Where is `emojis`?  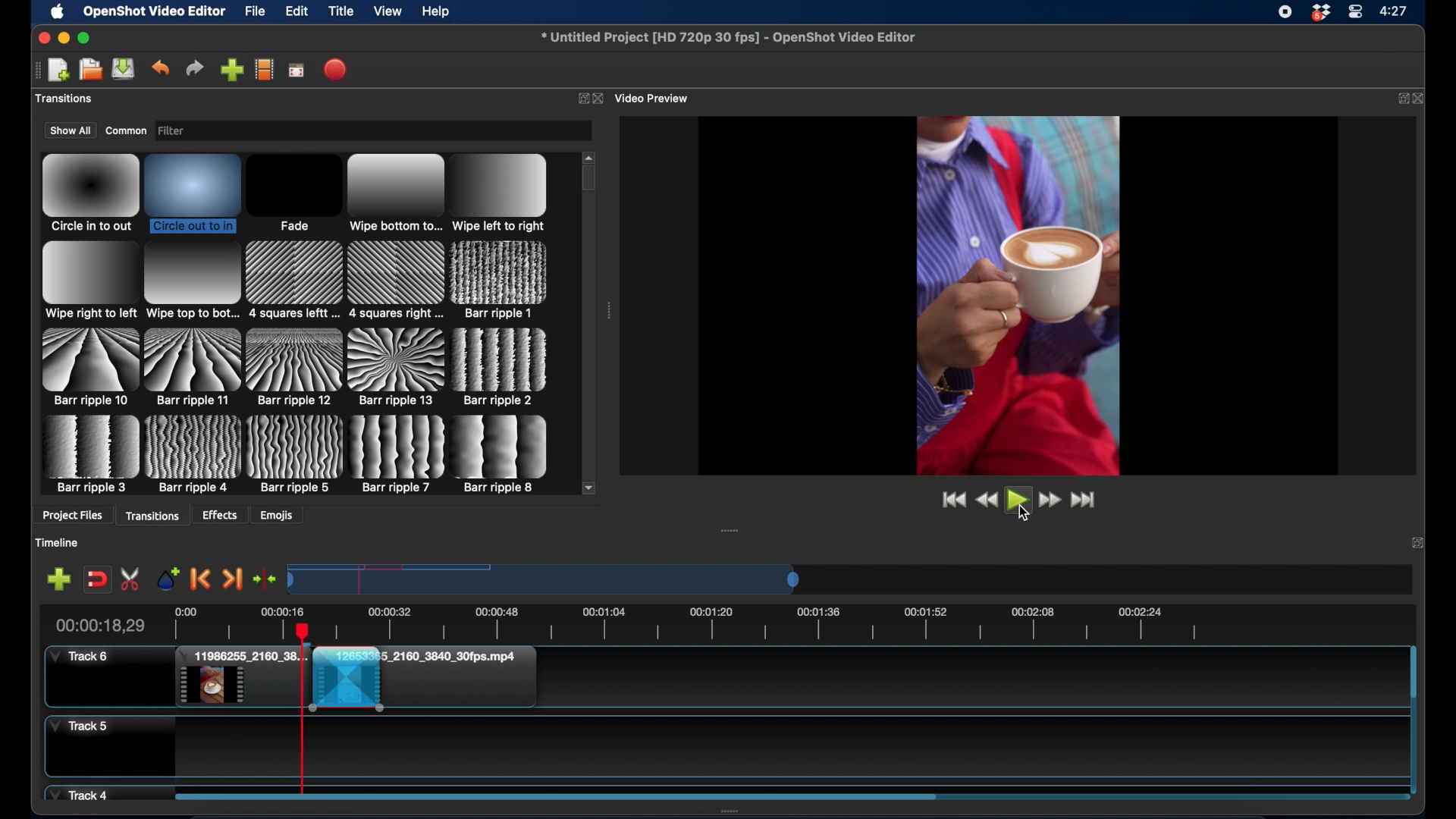
emojis is located at coordinates (277, 515).